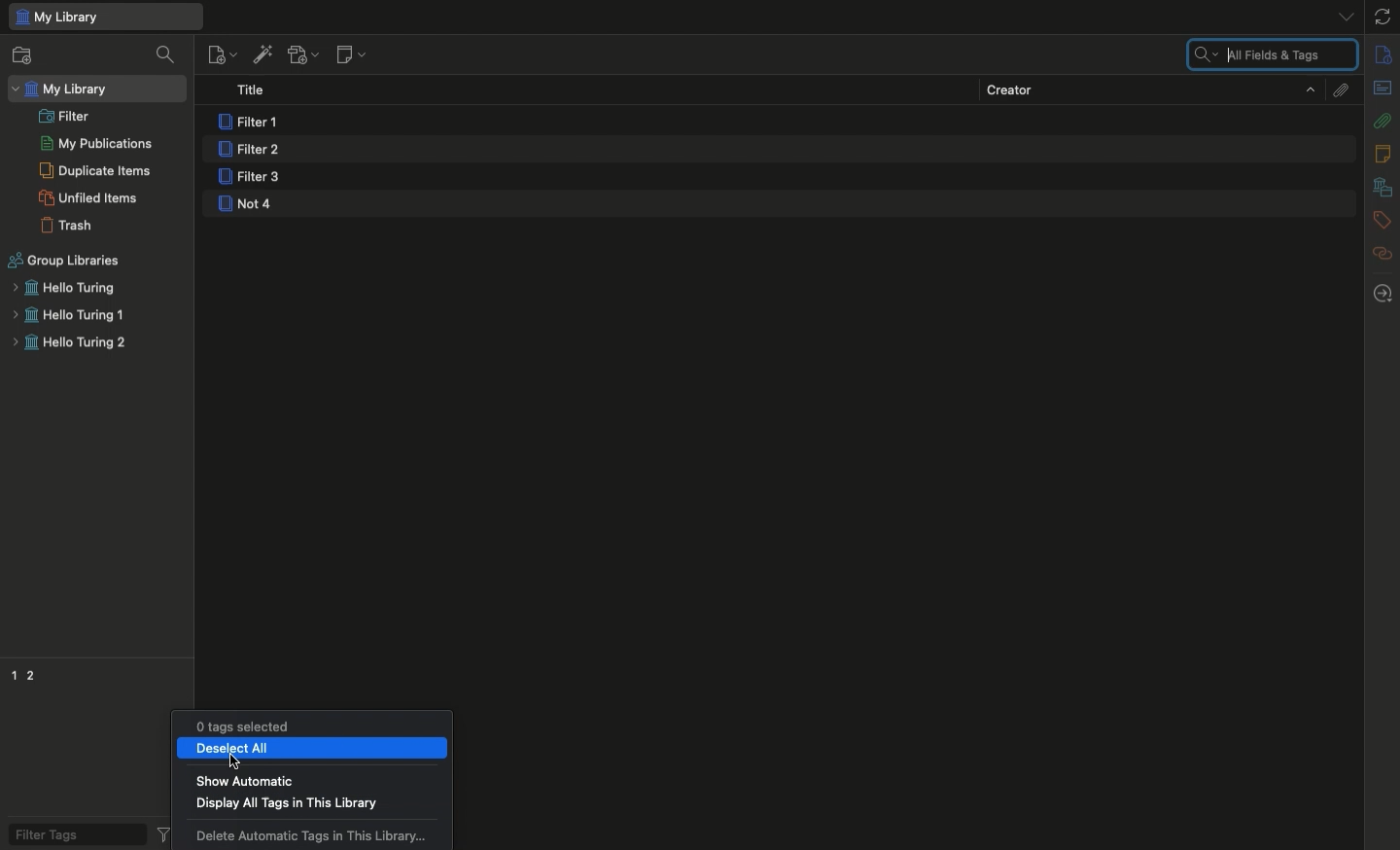 Image resolution: width=1400 pixels, height=850 pixels. I want to click on Add attachment, so click(301, 56).